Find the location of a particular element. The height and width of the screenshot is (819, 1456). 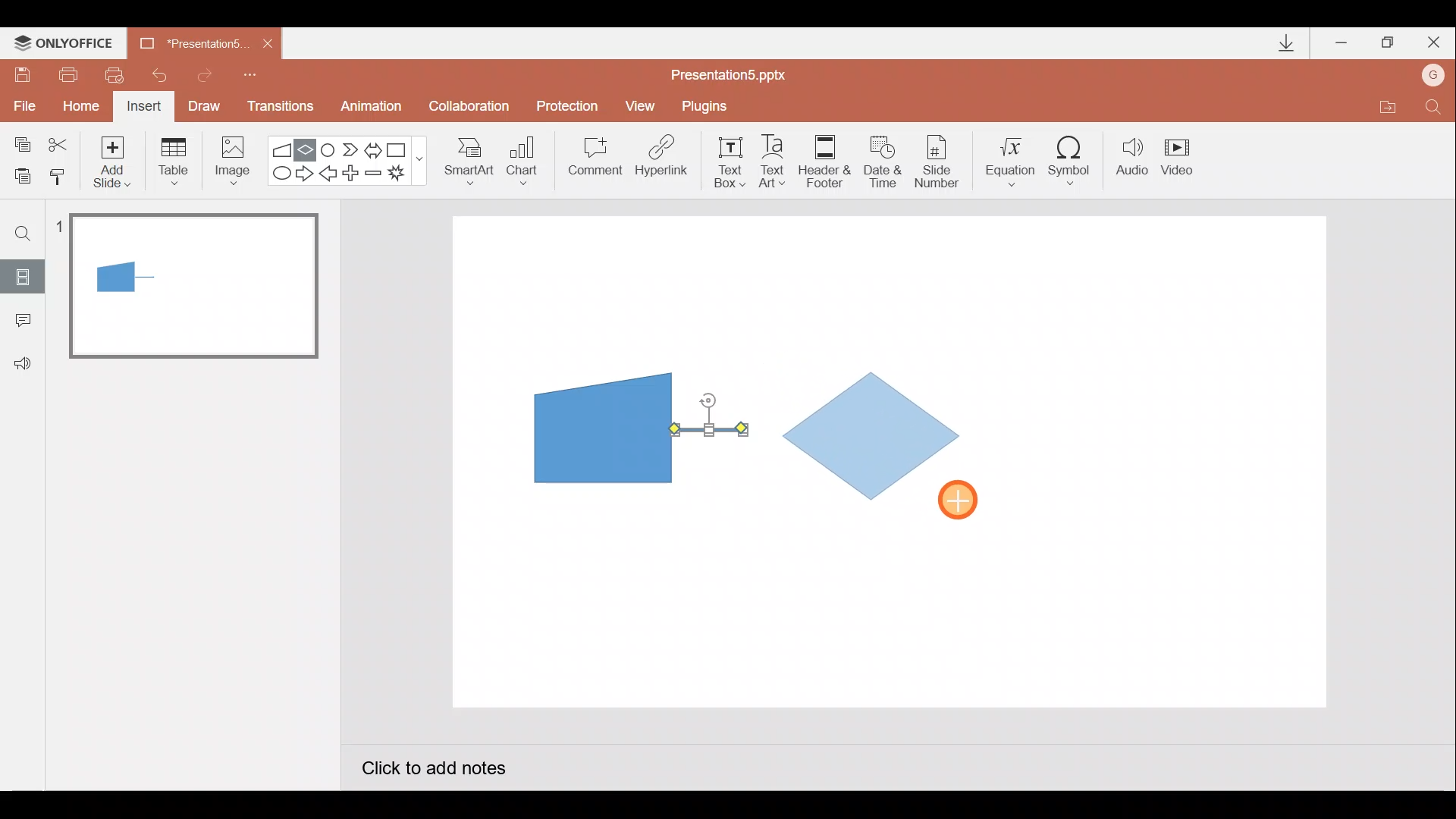

Flowchart - manual input is located at coordinates (284, 148).